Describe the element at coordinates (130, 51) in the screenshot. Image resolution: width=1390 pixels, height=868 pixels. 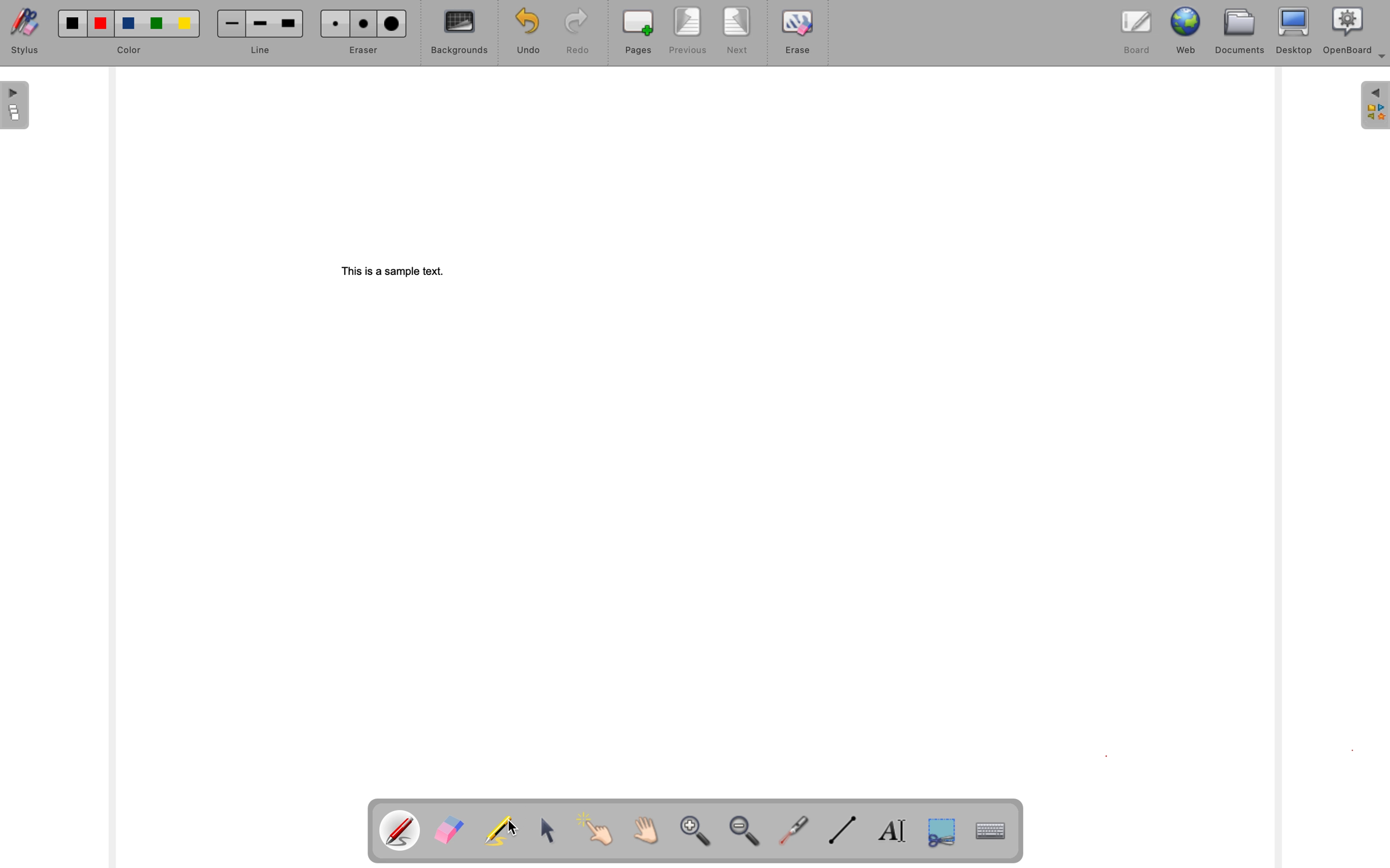
I see `color` at that location.